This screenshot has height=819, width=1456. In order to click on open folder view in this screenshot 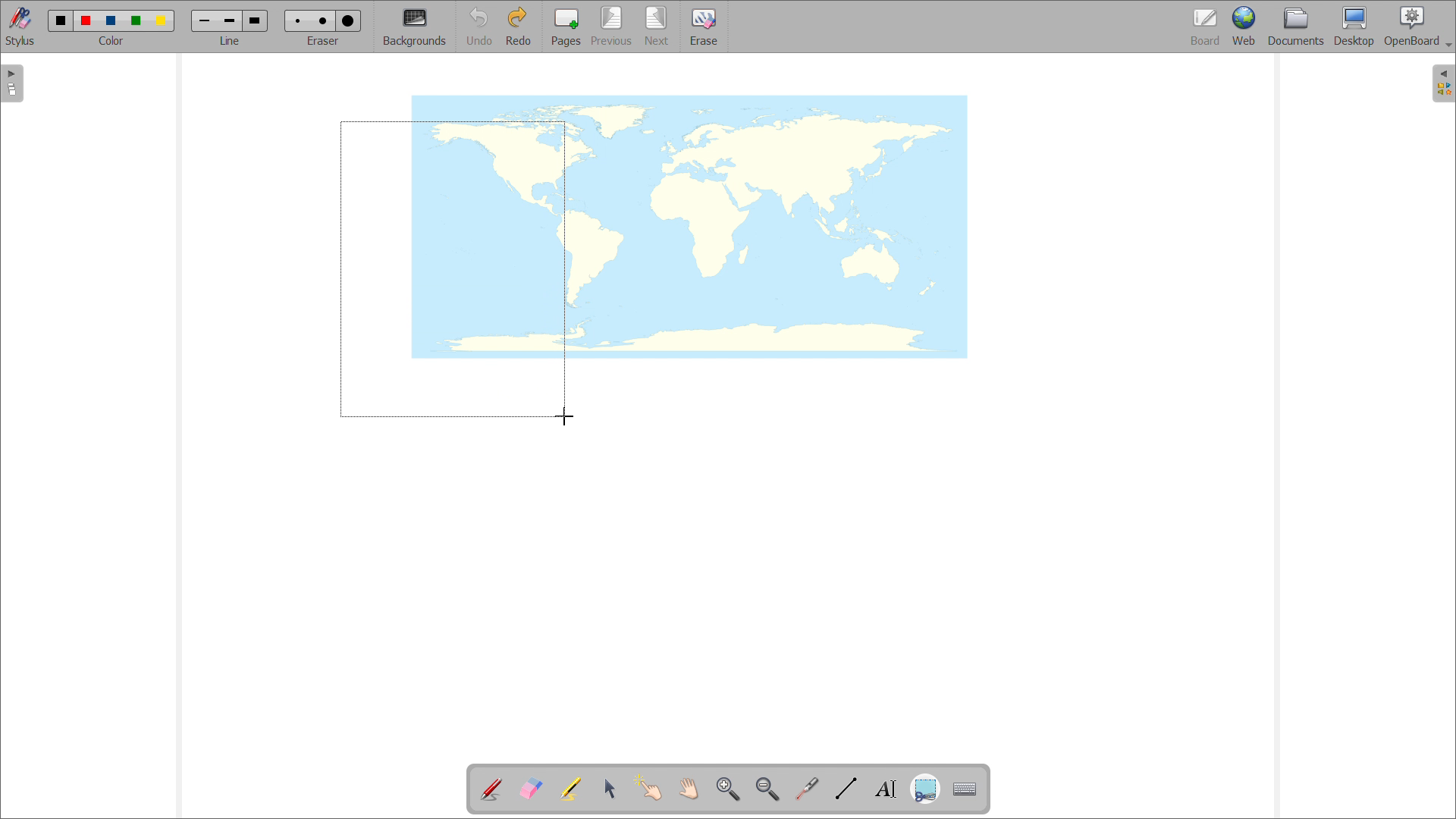, I will do `click(1444, 84)`.